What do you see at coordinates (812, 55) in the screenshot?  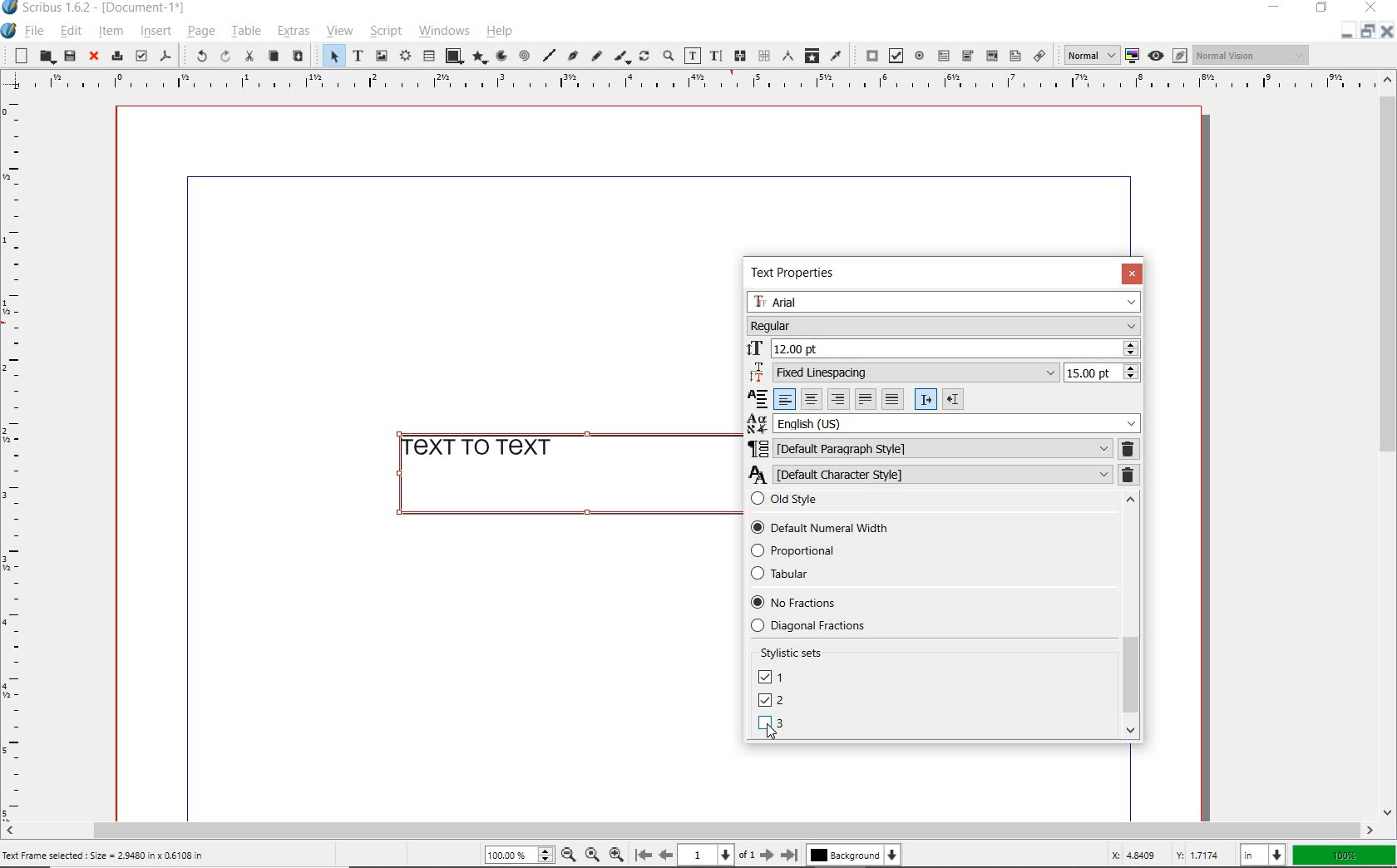 I see `copy item properties` at bounding box center [812, 55].